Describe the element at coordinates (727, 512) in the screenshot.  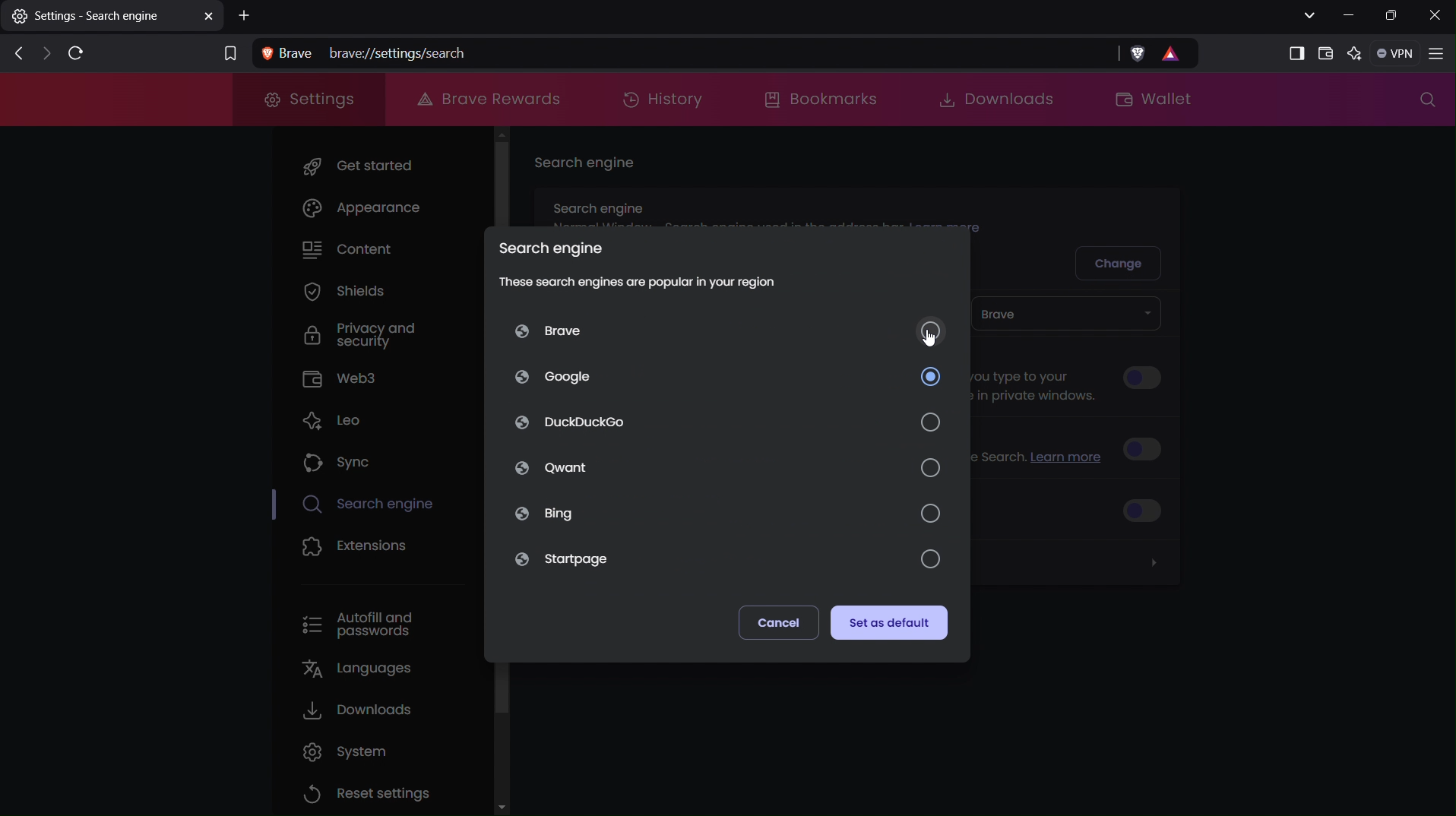
I see `Bing` at that location.